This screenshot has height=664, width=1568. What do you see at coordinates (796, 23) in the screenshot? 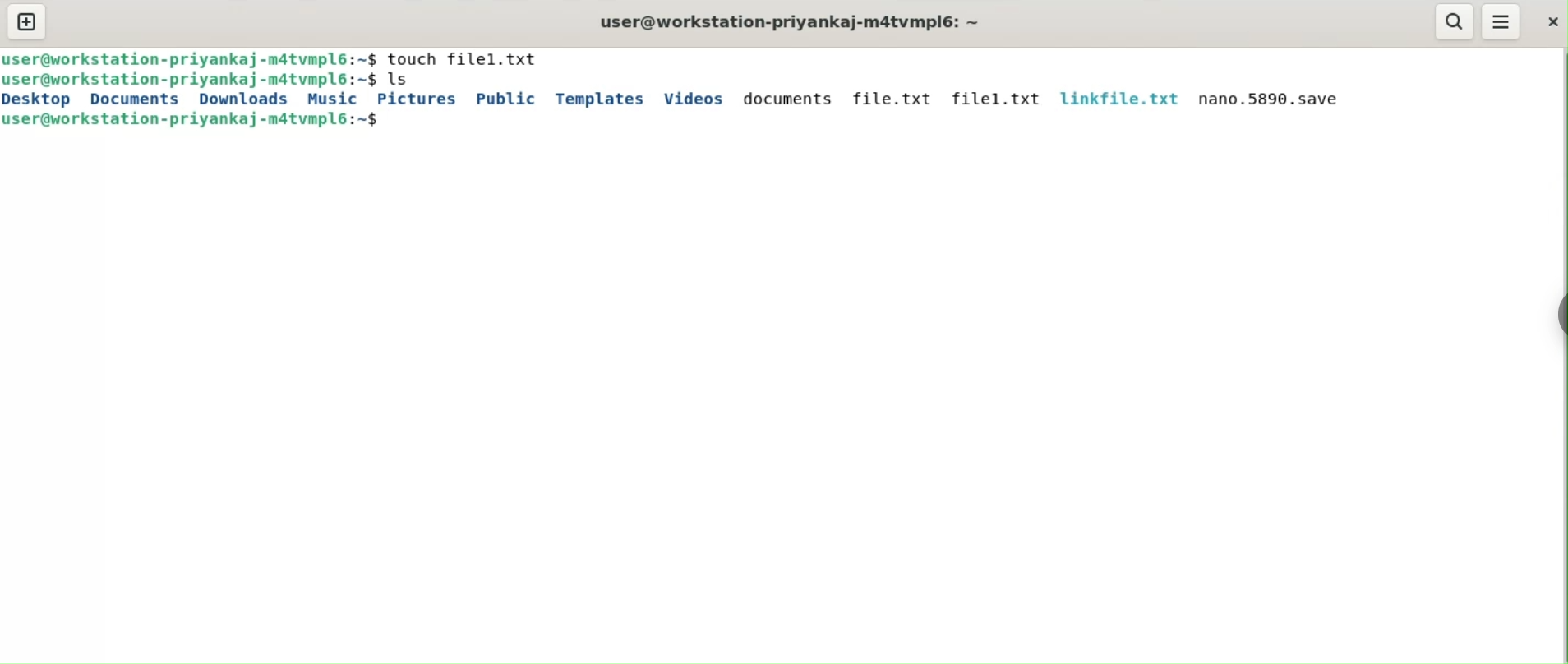
I see `user@workstation-priyankaj-m4atvmpl6: ~` at bounding box center [796, 23].